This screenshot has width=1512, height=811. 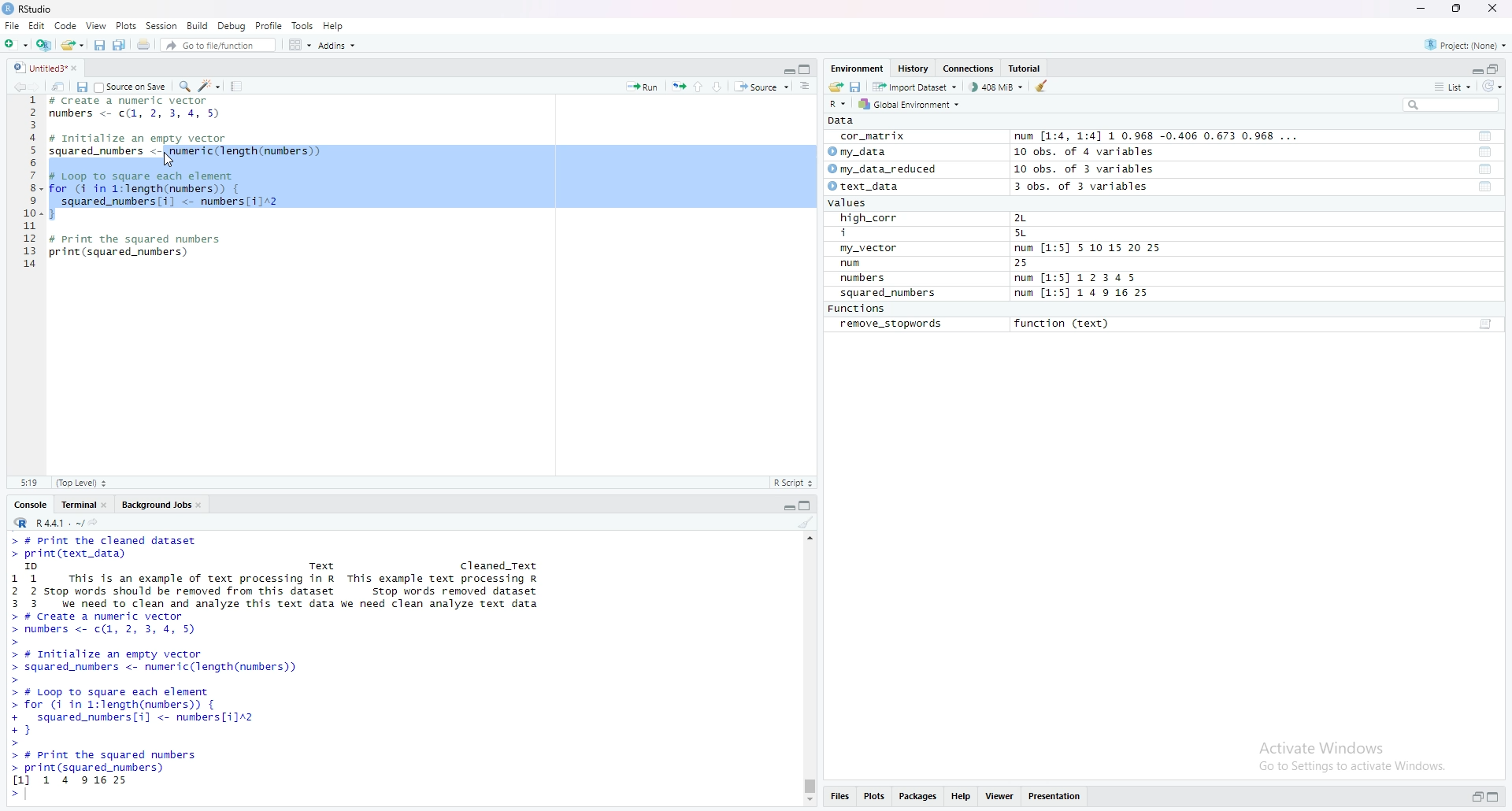 I want to click on Activate Windows
Go to Settings to activate Windows., so click(x=1354, y=754).